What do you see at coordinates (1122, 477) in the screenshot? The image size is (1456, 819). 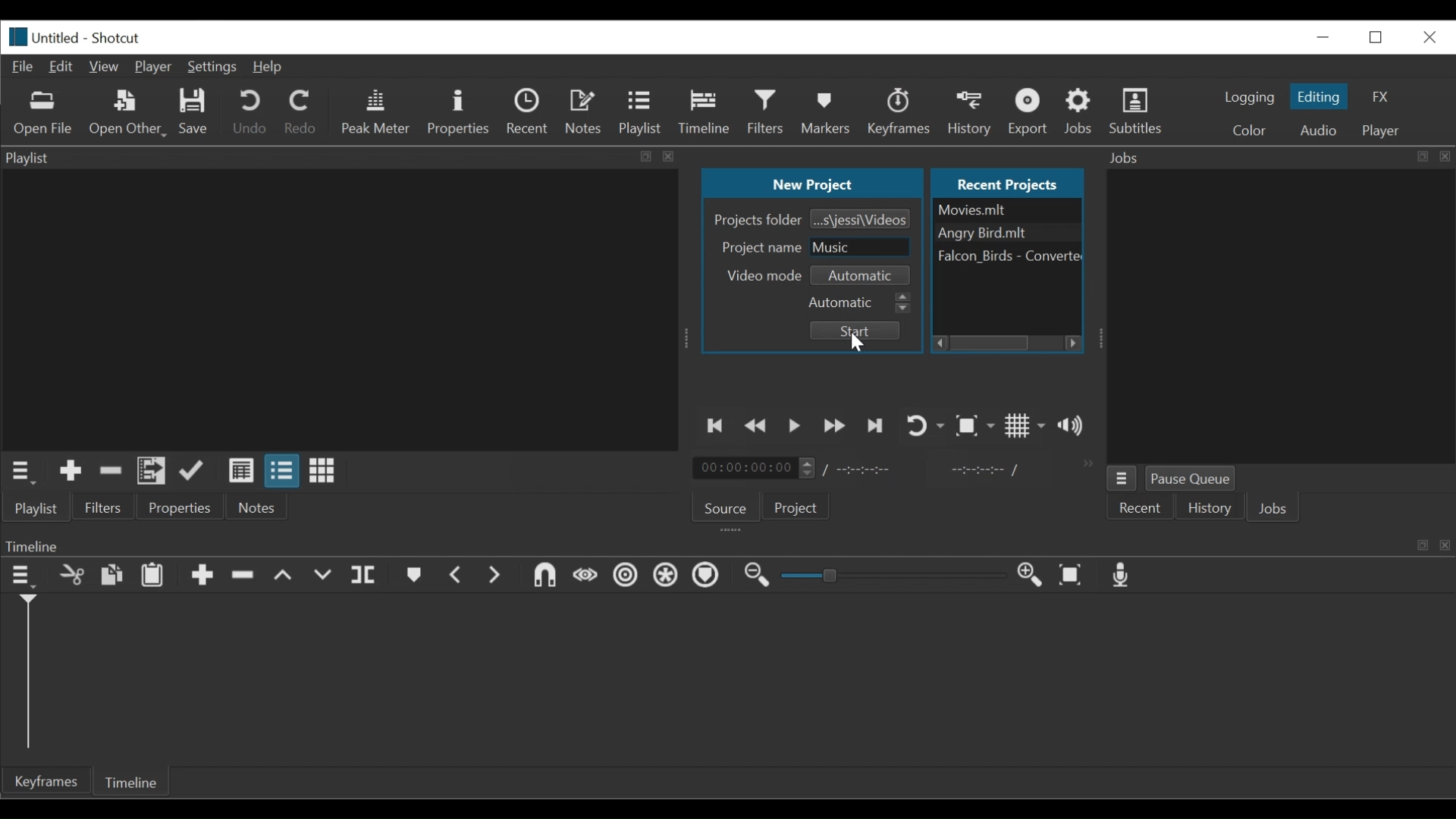 I see `Jobs menu` at bounding box center [1122, 477].